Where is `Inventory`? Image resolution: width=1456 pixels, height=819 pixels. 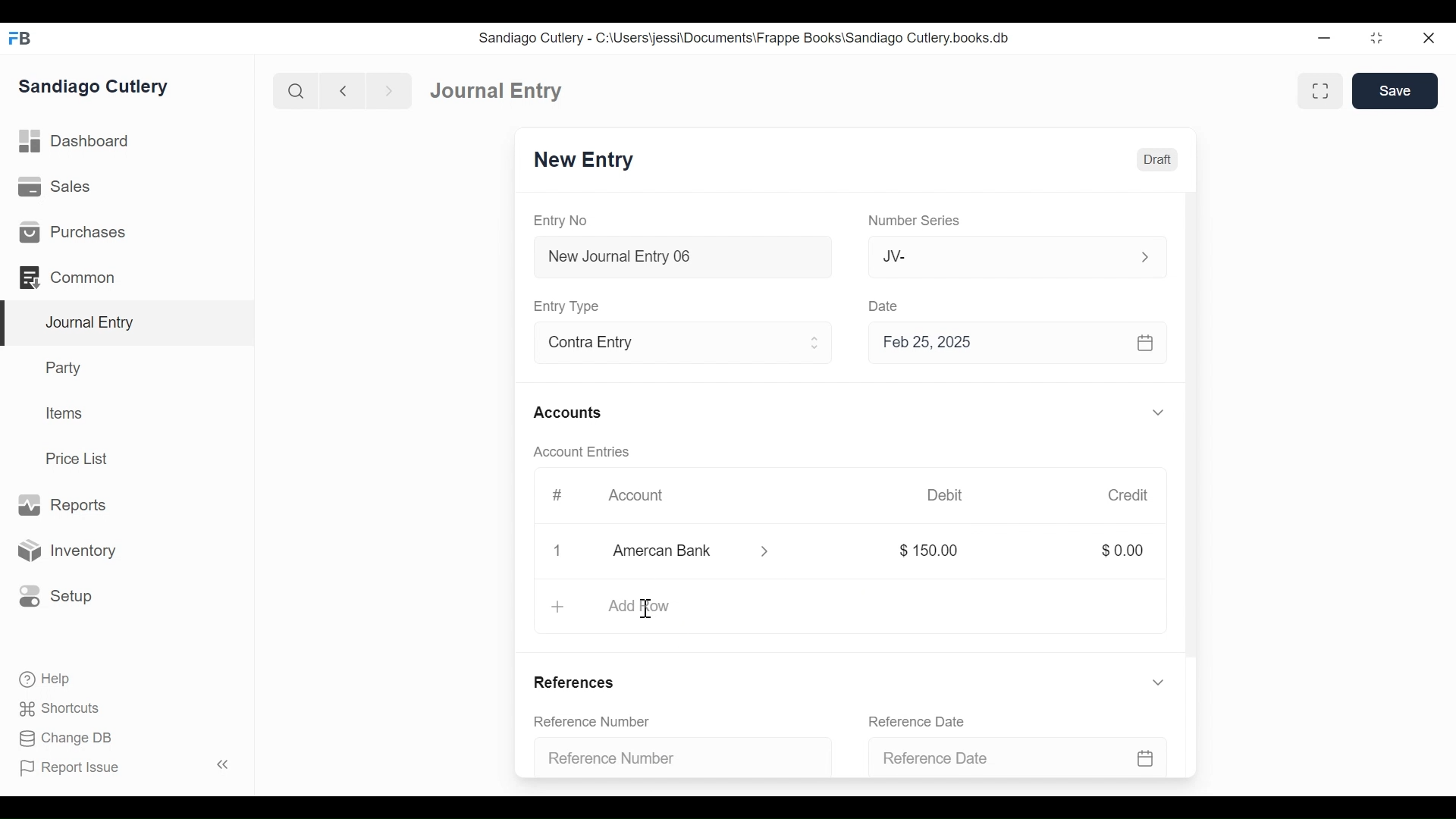 Inventory is located at coordinates (64, 551).